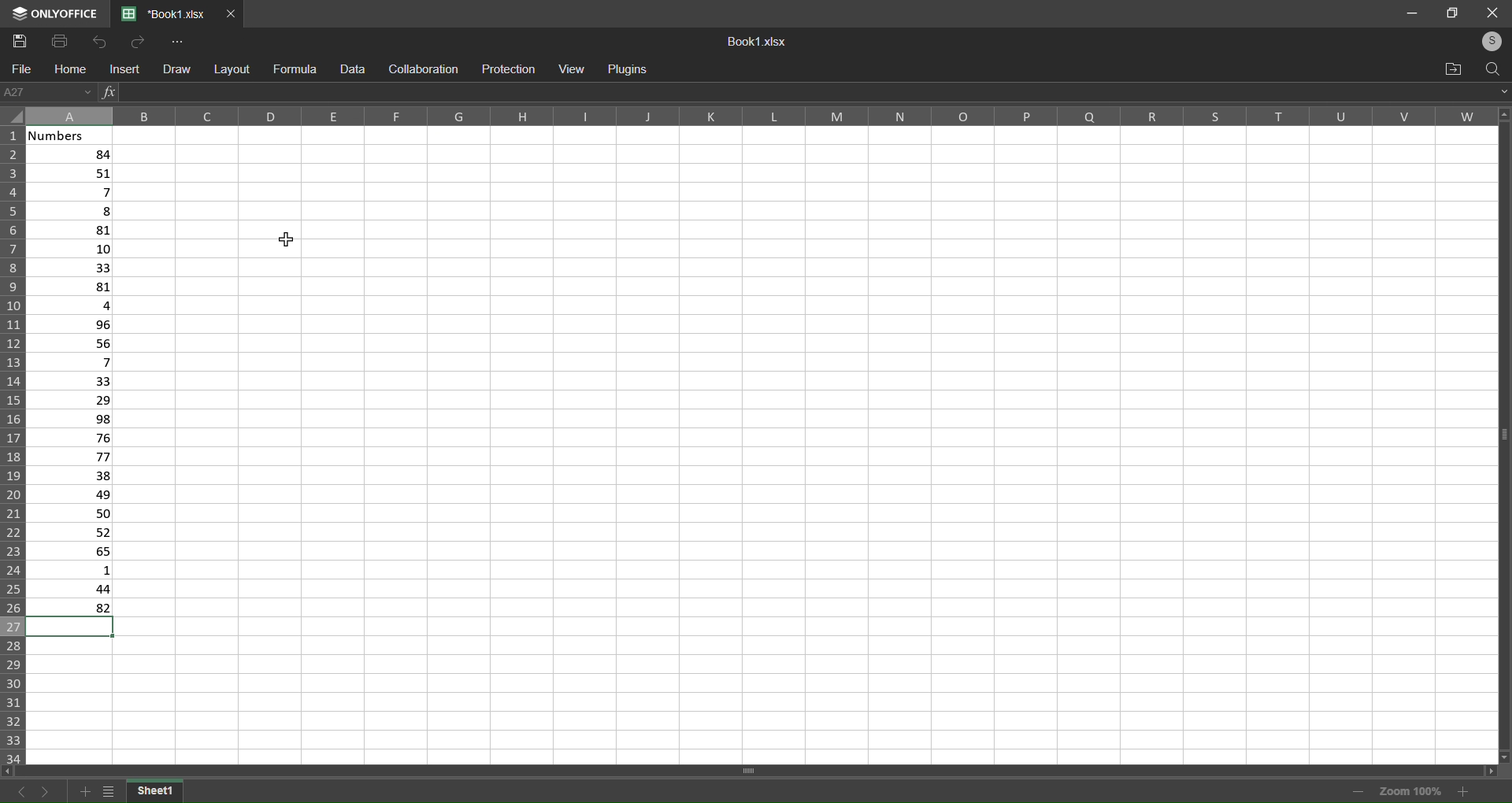  I want to click on move right, so click(1498, 774).